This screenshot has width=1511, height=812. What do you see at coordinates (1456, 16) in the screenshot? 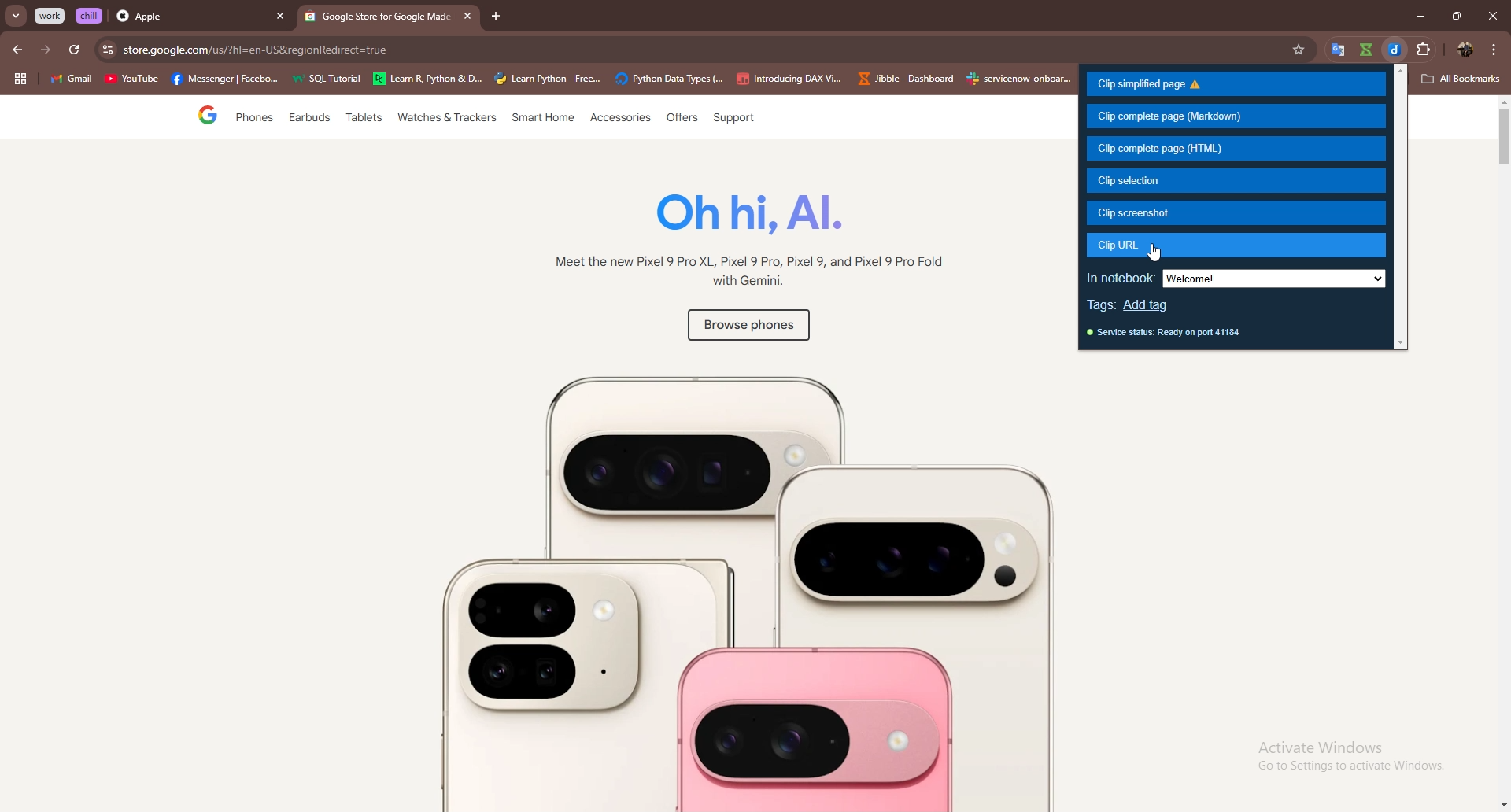
I see `resize` at bounding box center [1456, 16].